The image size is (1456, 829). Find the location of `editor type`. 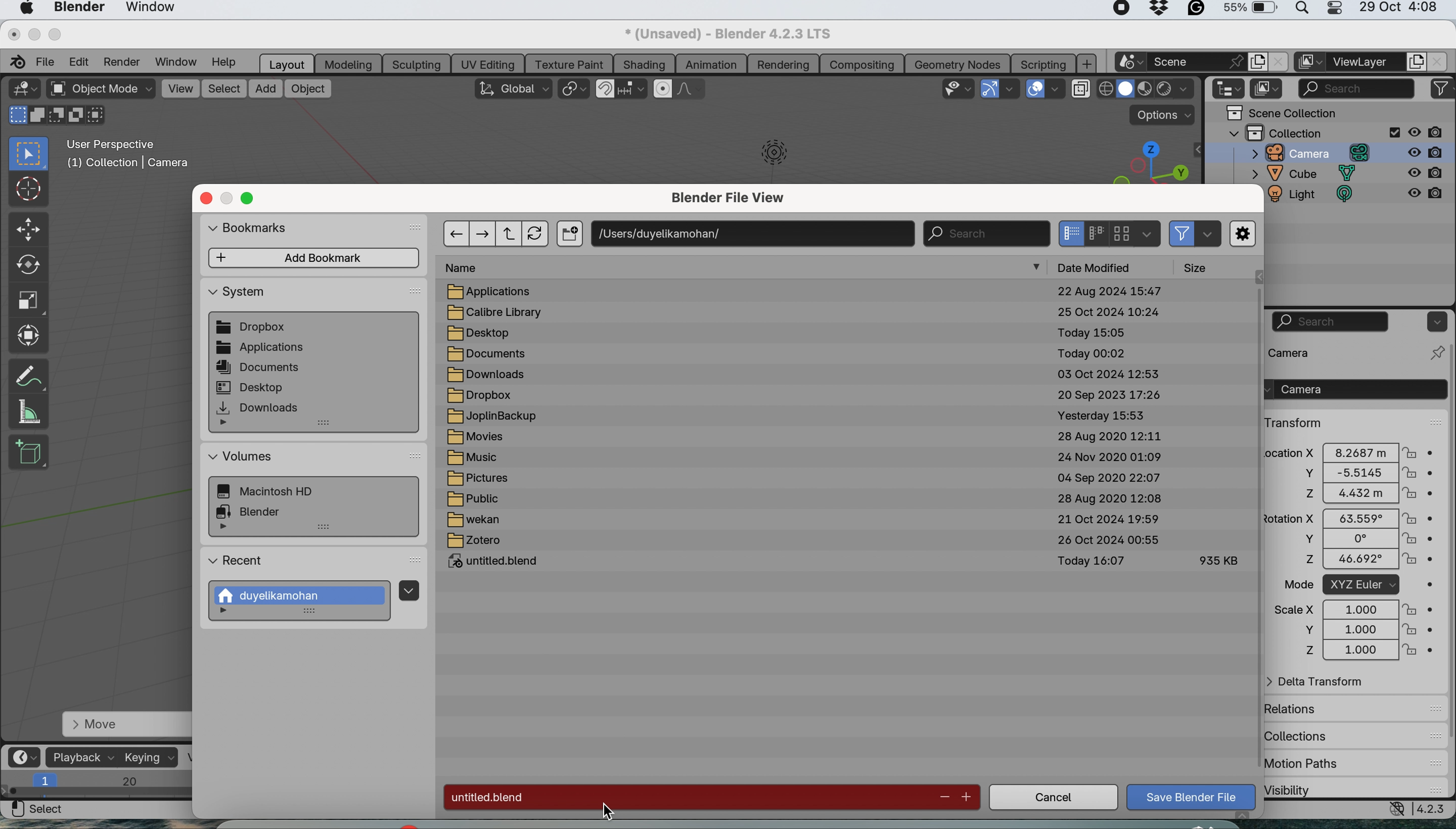

editor type is located at coordinates (1230, 89).